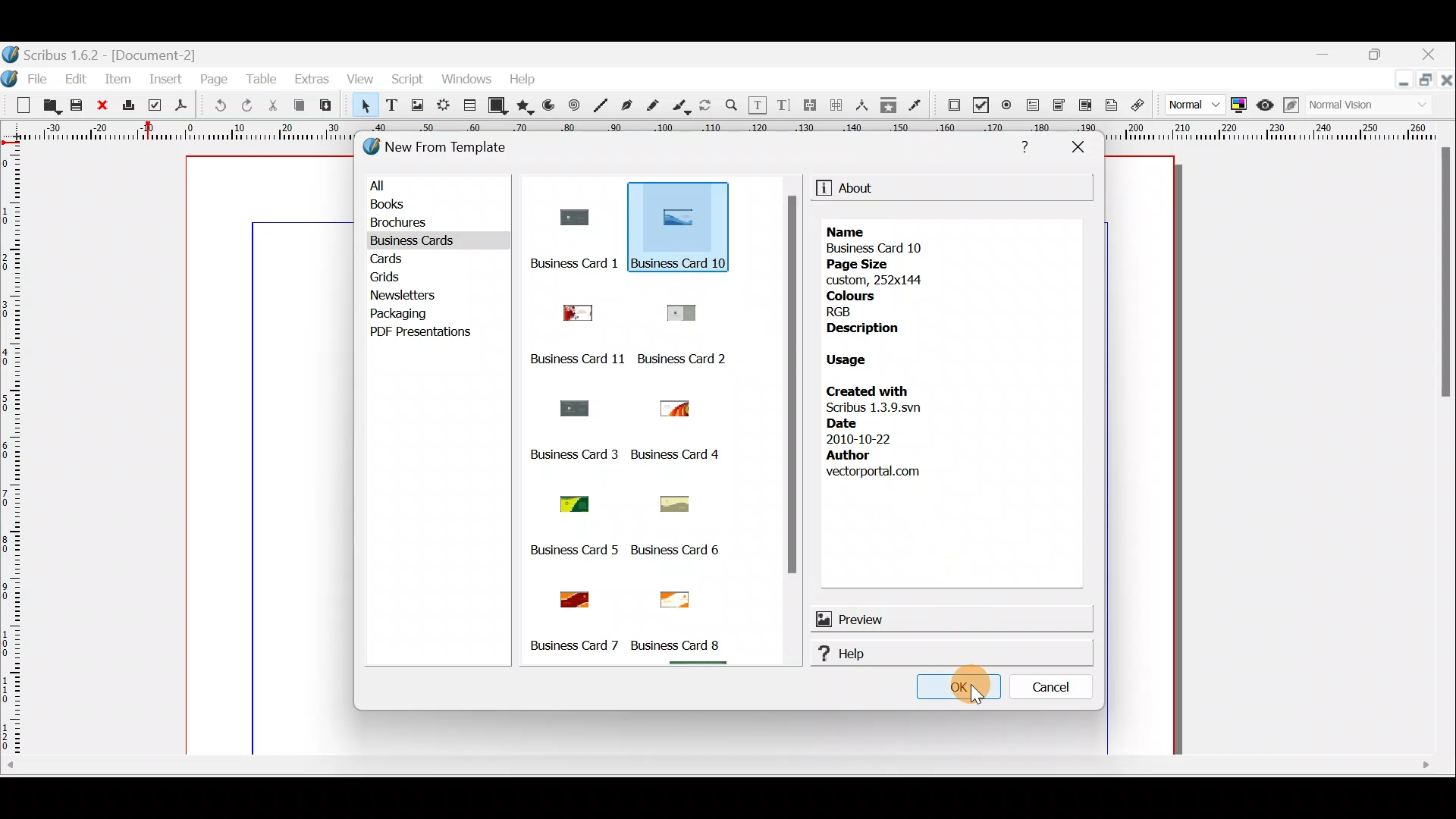  What do you see at coordinates (1385, 54) in the screenshot?
I see `Maximise` at bounding box center [1385, 54].